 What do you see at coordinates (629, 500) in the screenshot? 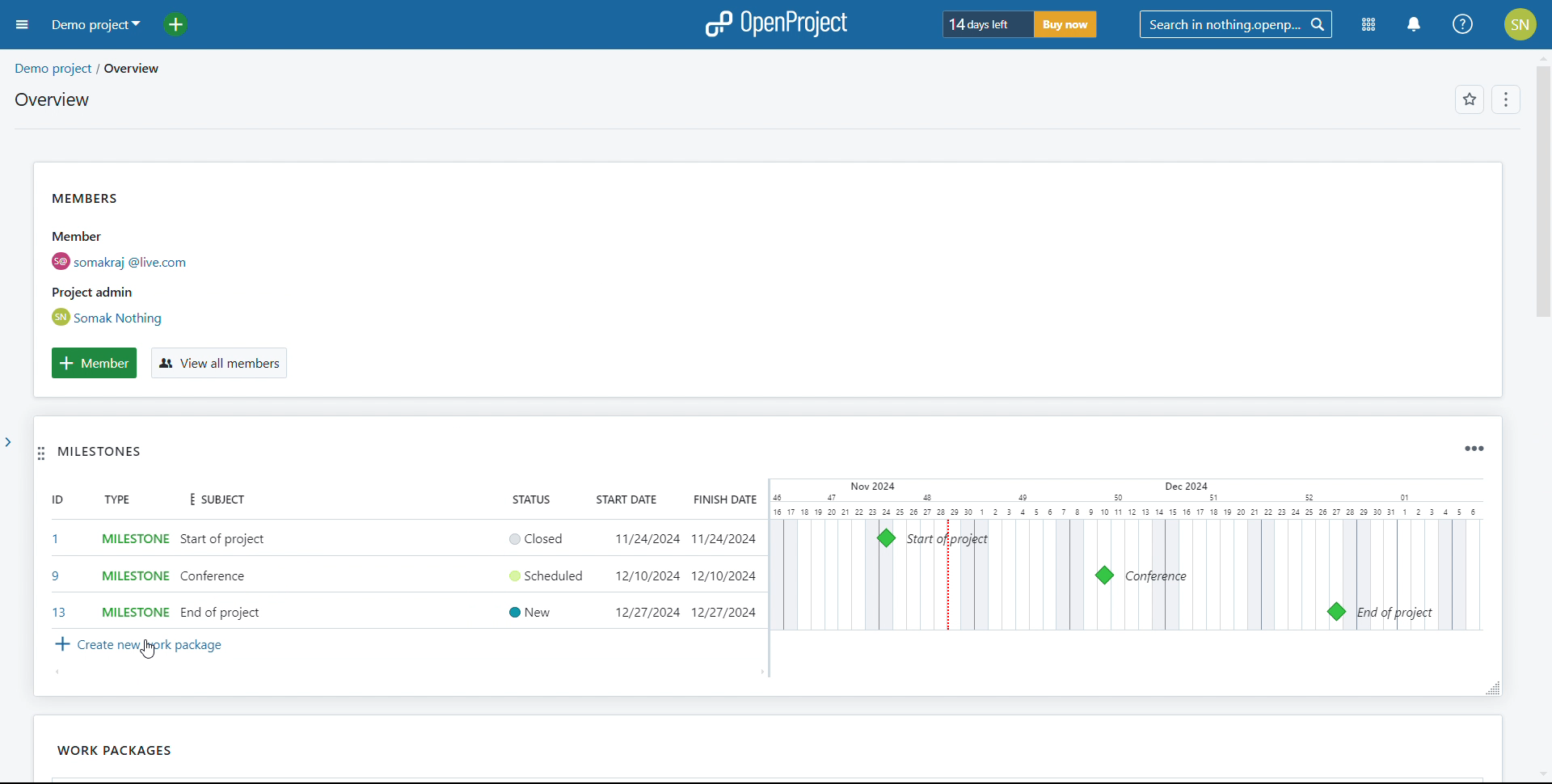
I see `start date` at bounding box center [629, 500].